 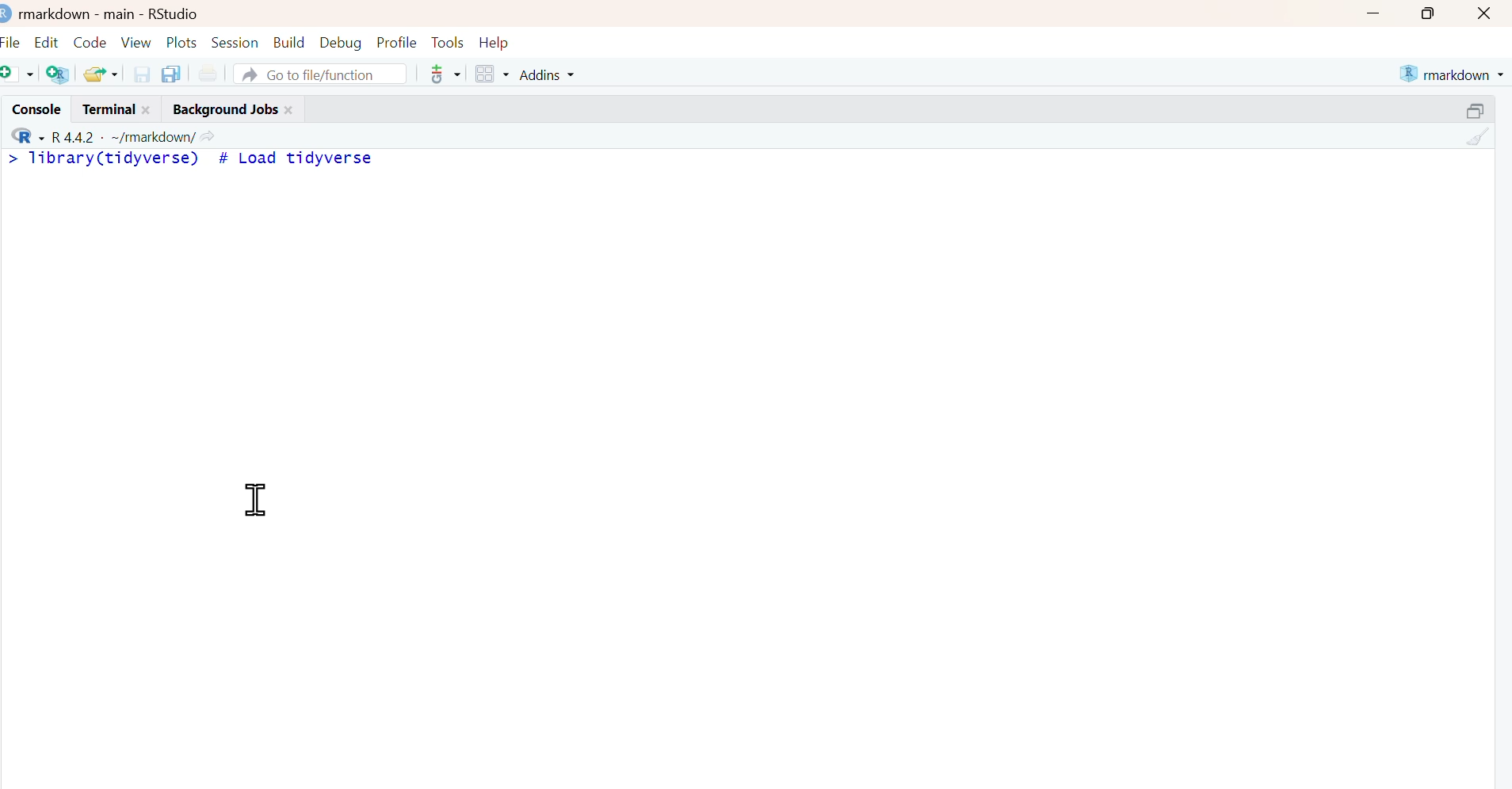 I want to click on workspace panes, so click(x=492, y=74).